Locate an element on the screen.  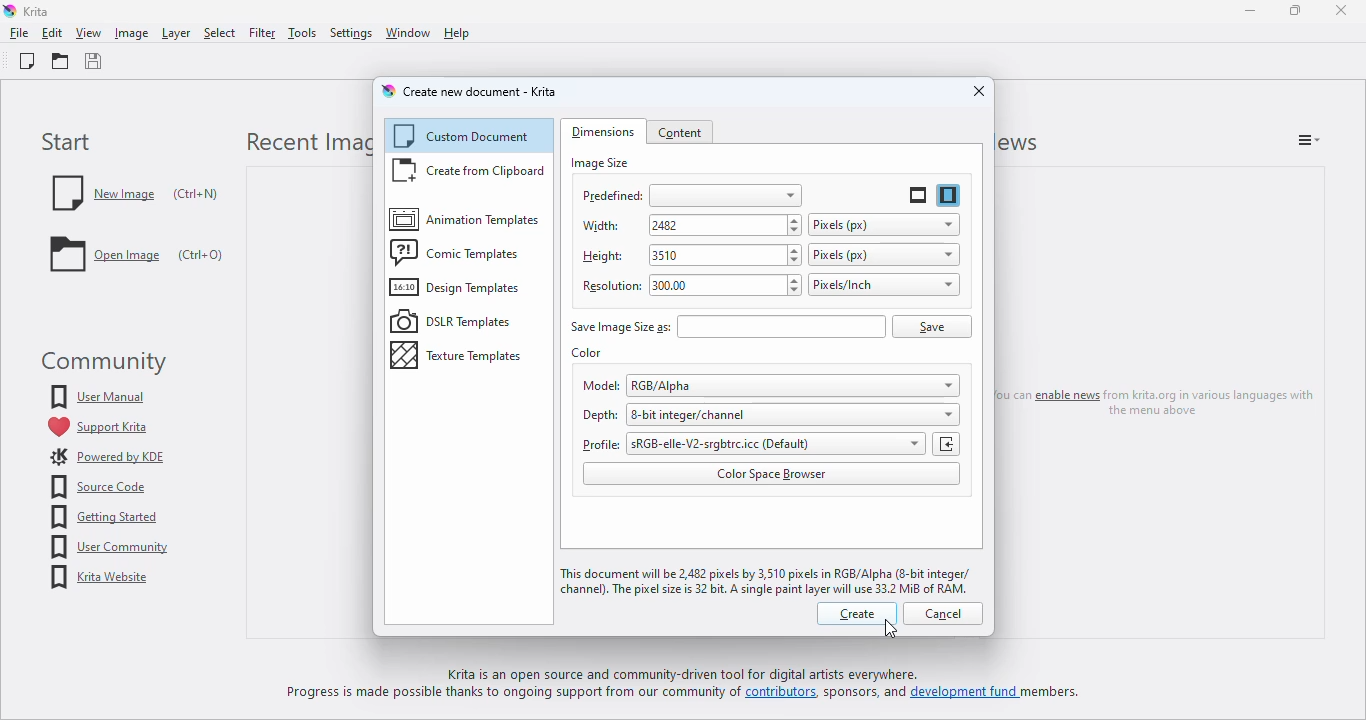
resolution: 300.00 is located at coordinates (666, 282).